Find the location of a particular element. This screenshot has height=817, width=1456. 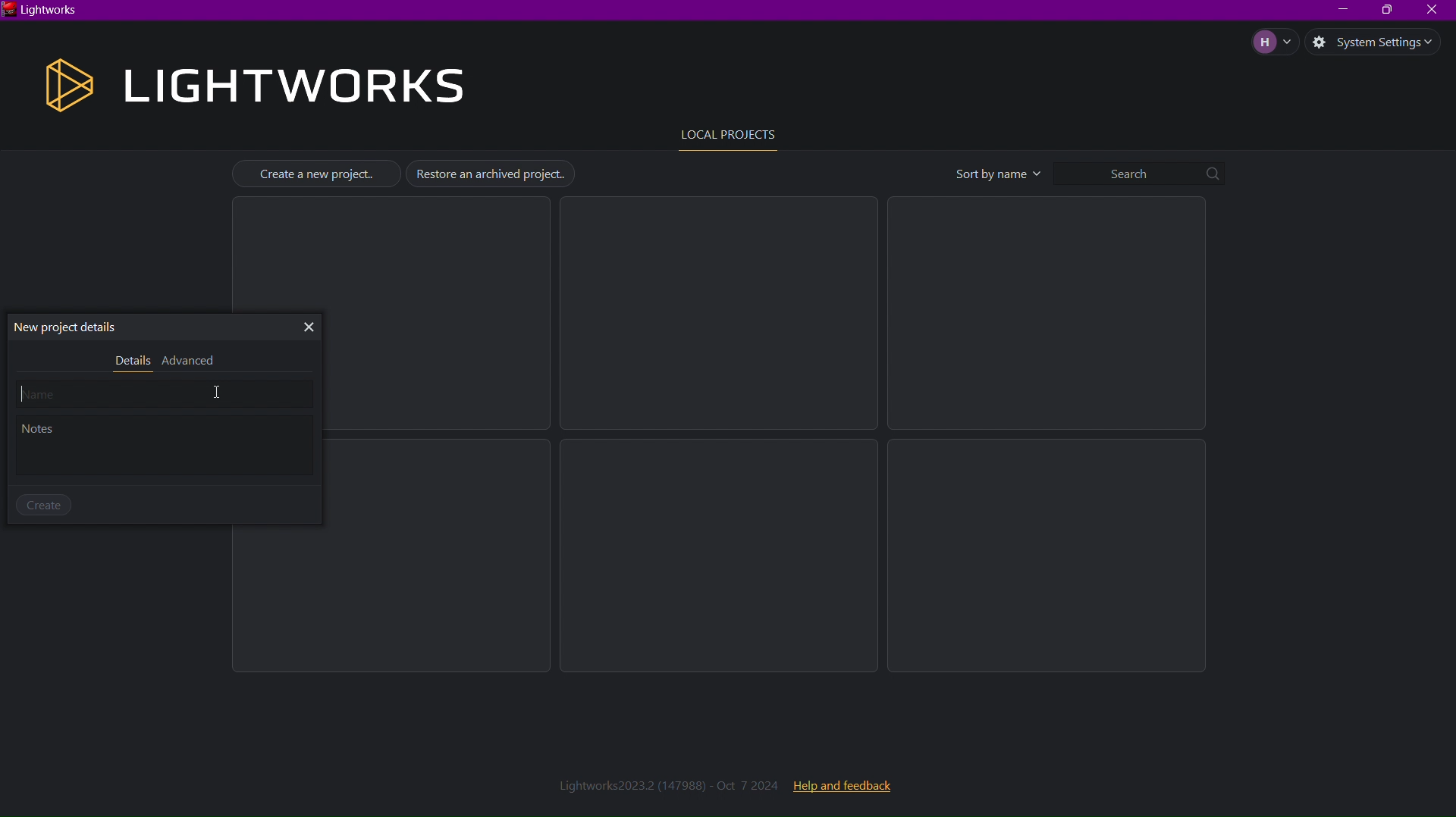

Minimize is located at coordinates (1337, 11).